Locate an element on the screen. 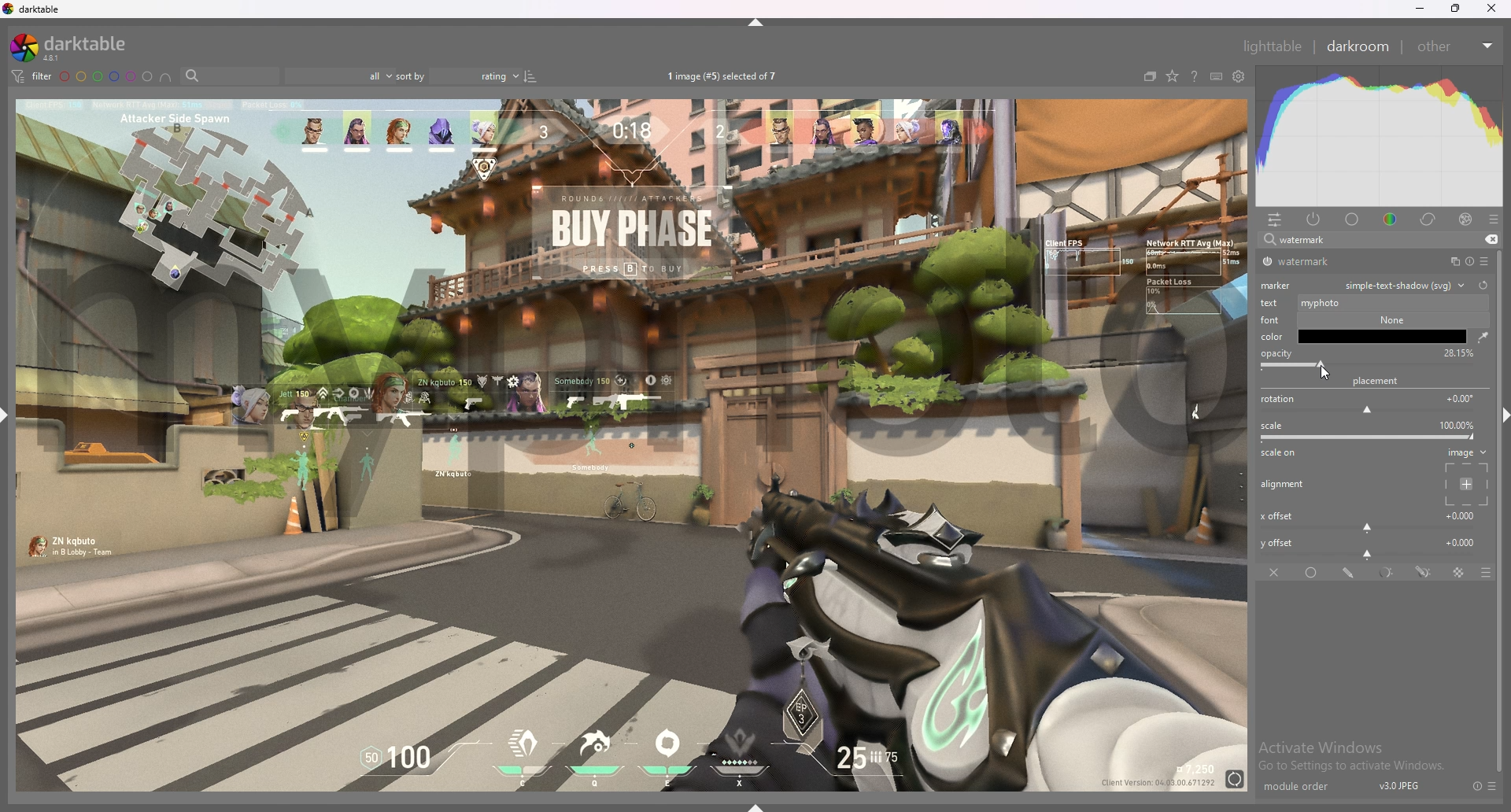  darktable is located at coordinates (75, 47).